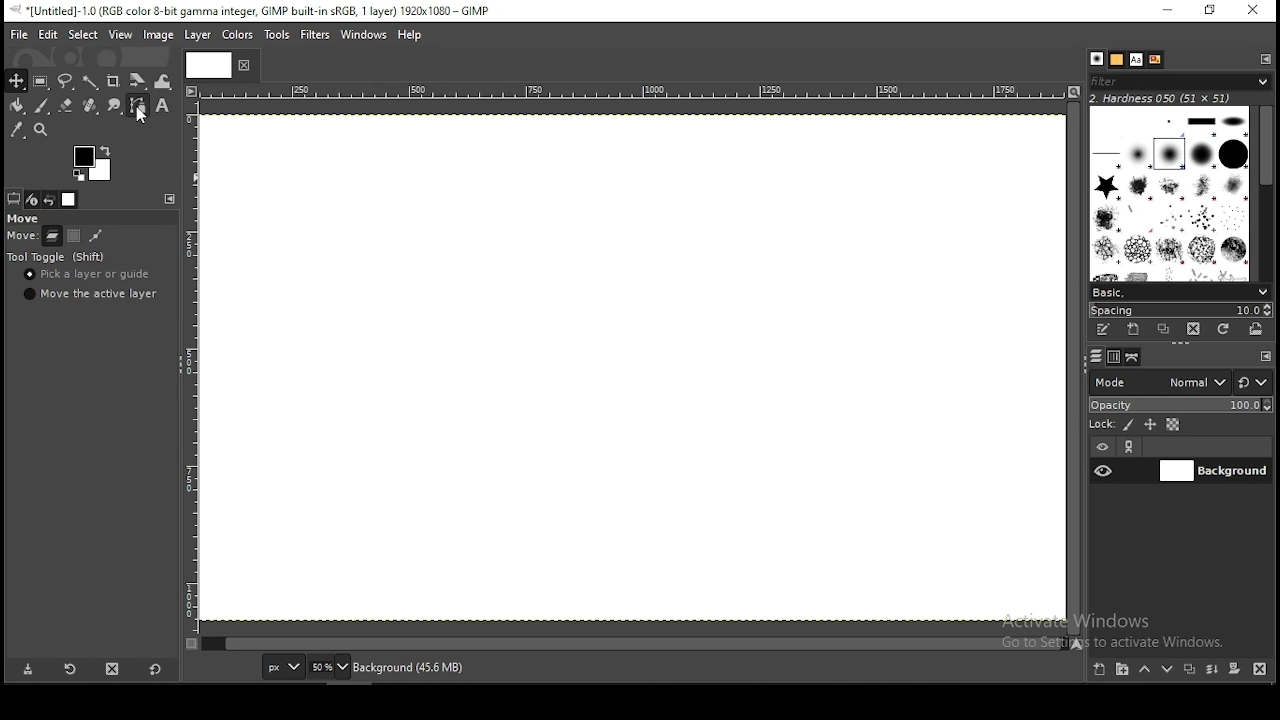 The height and width of the screenshot is (720, 1280). What do you see at coordinates (69, 671) in the screenshot?
I see `refresh  tool preset` at bounding box center [69, 671].